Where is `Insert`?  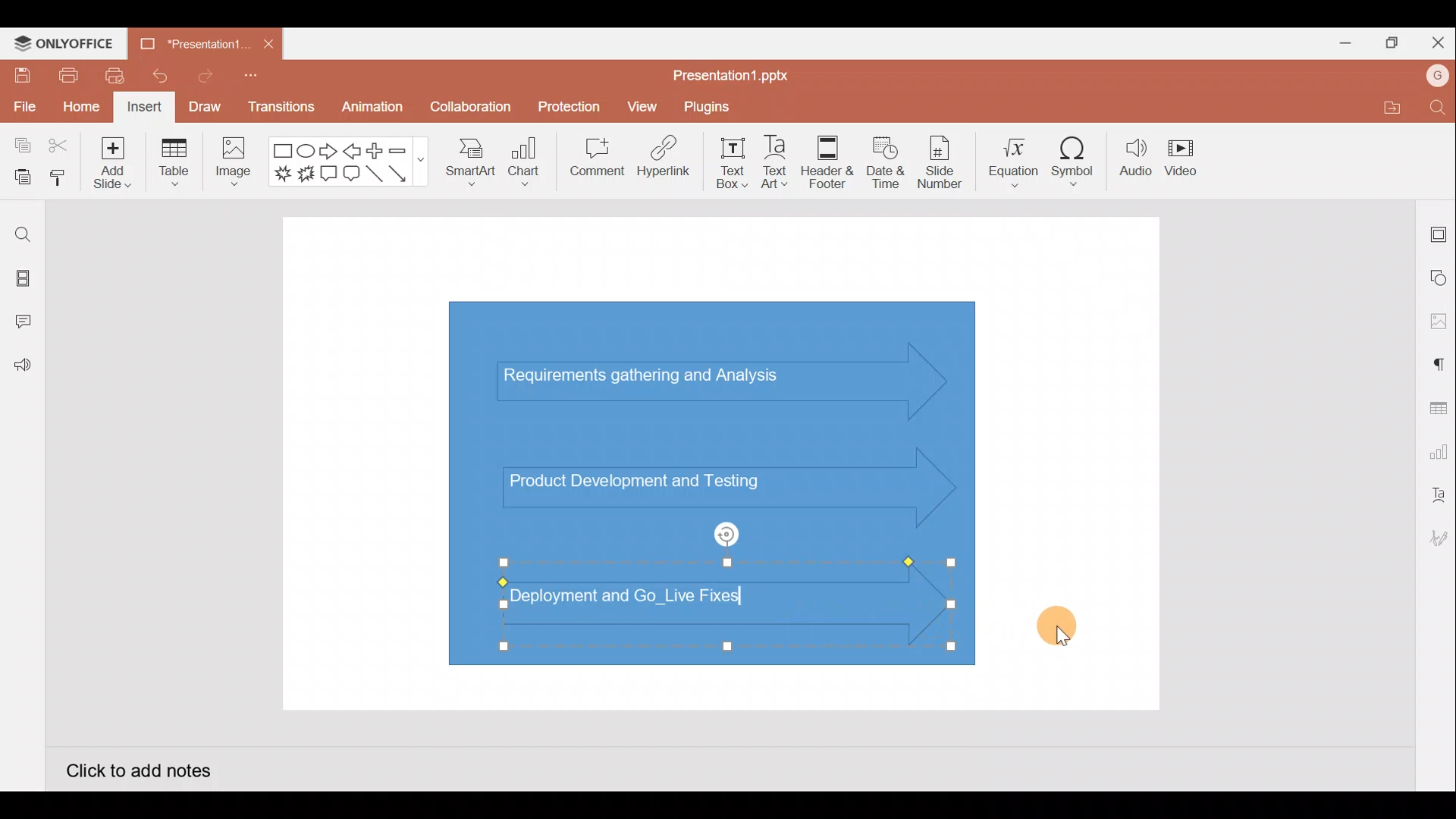
Insert is located at coordinates (145, 108).